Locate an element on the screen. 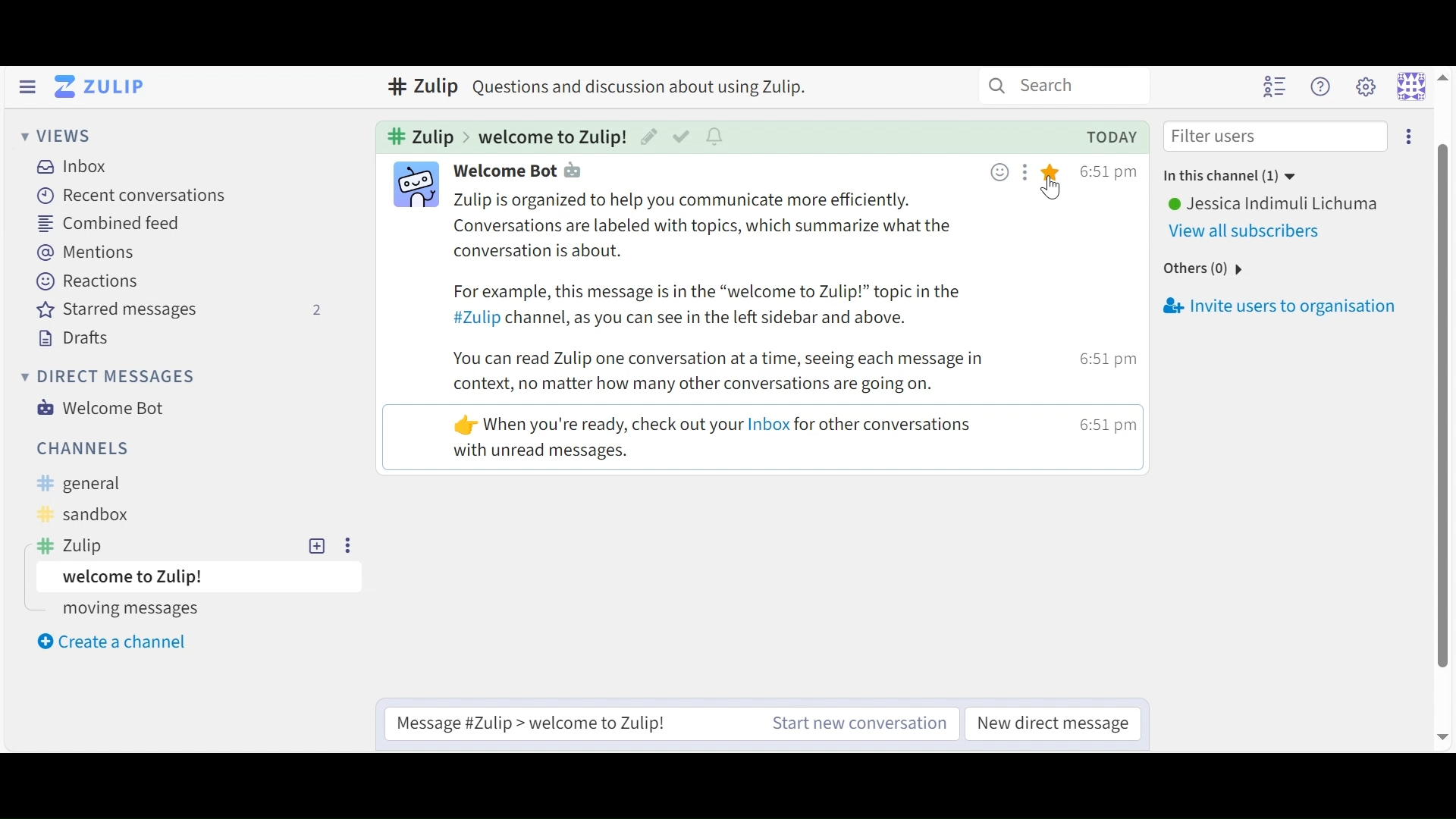  Create a new Channel is located at coordinates (121, 643).